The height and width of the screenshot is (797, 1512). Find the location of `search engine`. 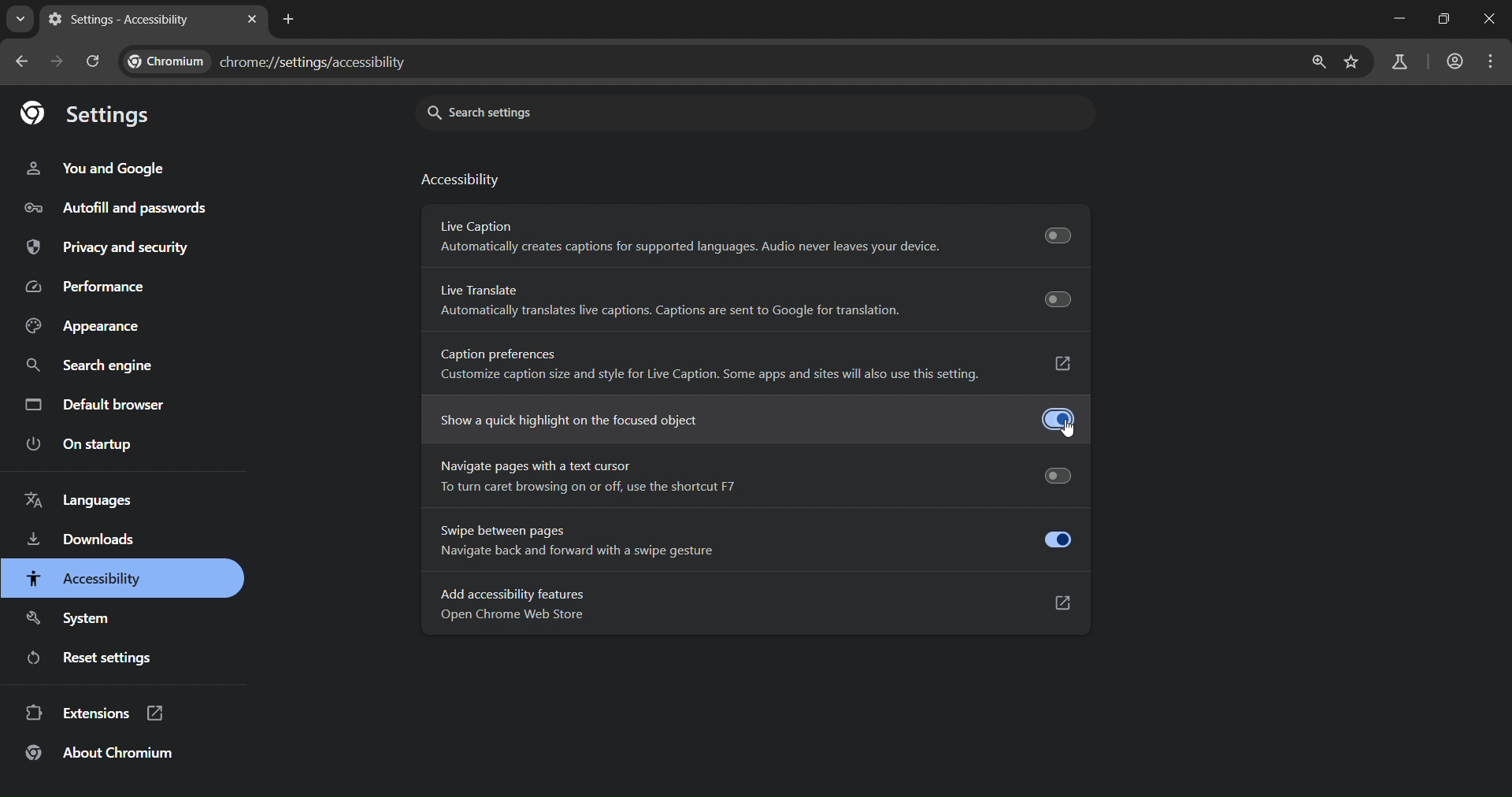

search engine is located at coordinates (91, 366).